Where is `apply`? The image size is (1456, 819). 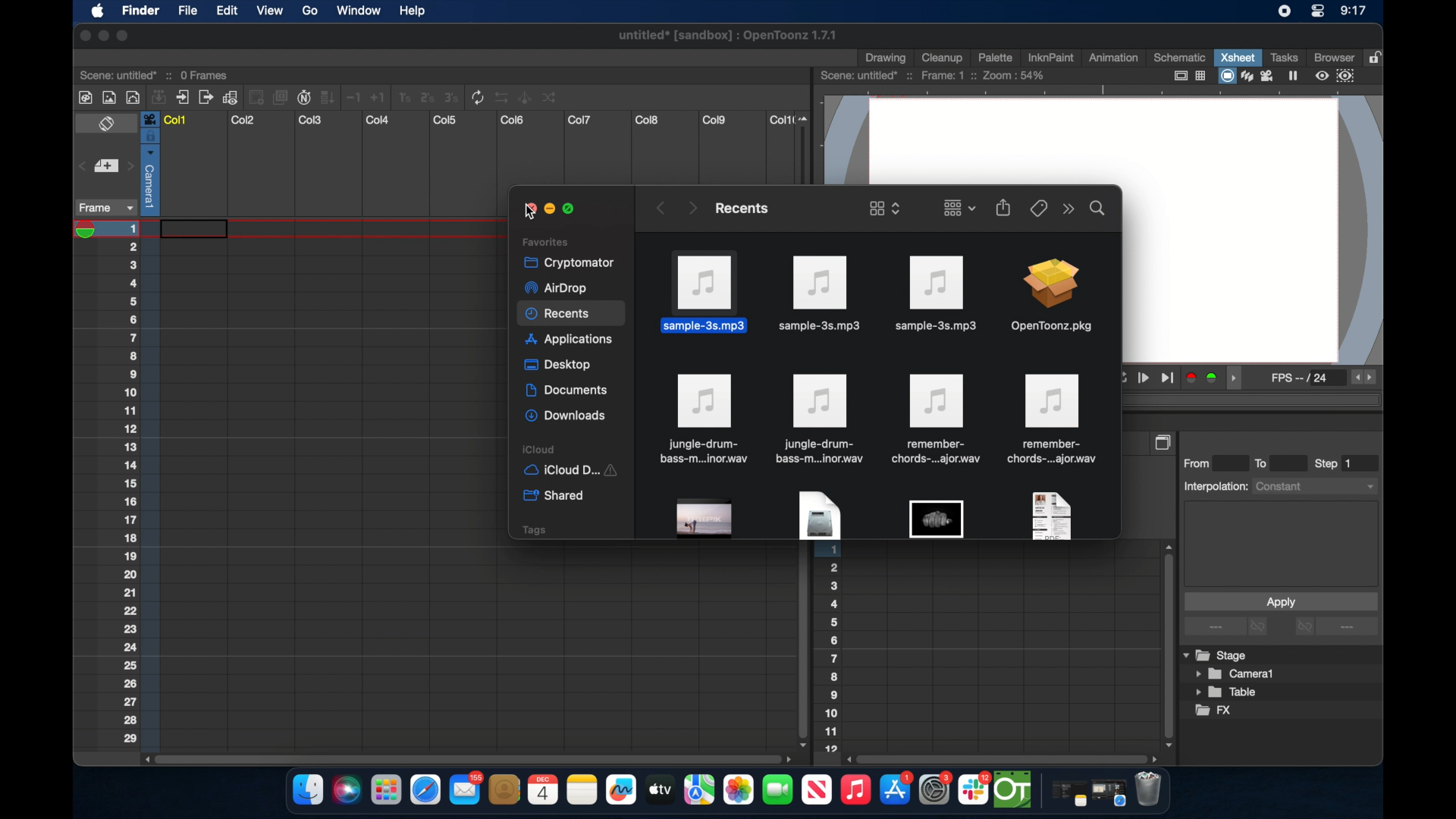
apply is located at coordinates (1280, 601).